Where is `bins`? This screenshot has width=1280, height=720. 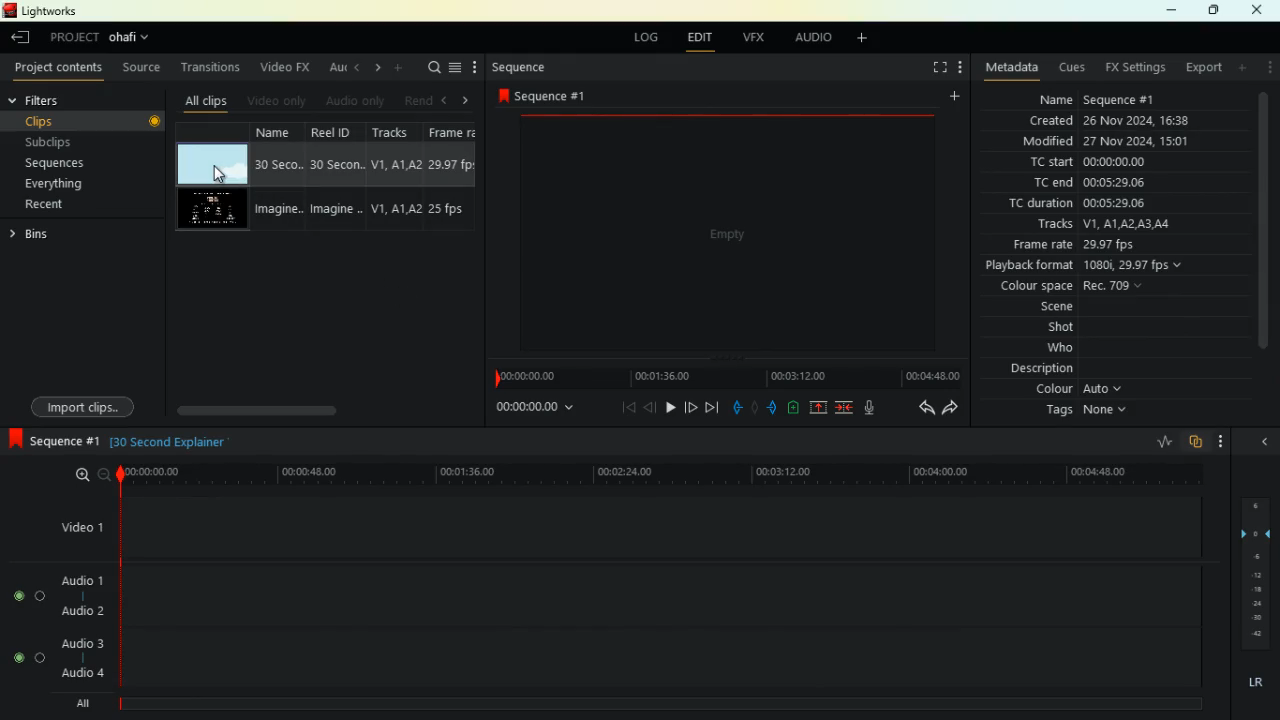
bins is located at coordinates (64, 235).